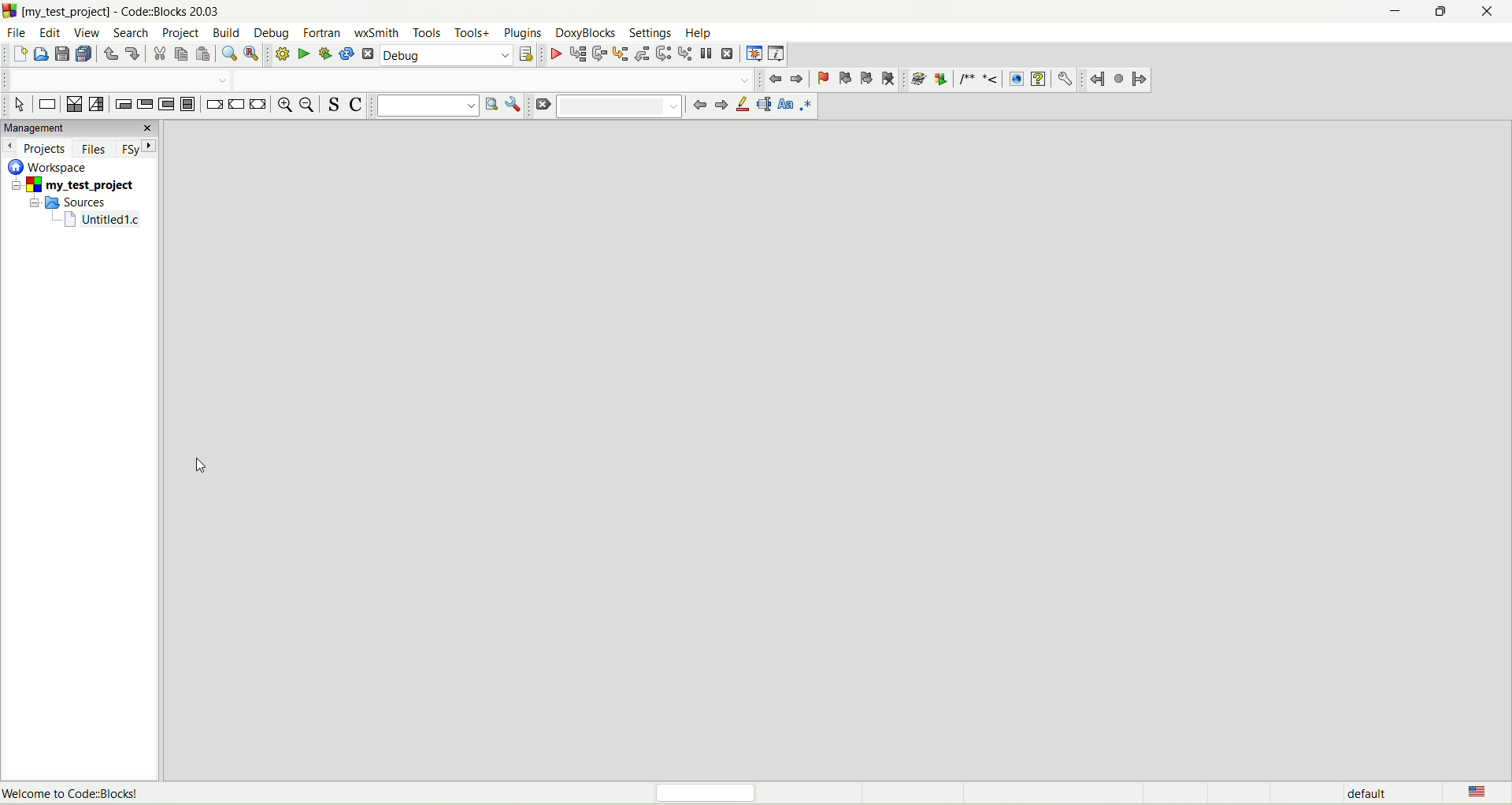 Image resolution: width=1512 pixels, height=805 pixels. I want to click on new, so click(18, 55).